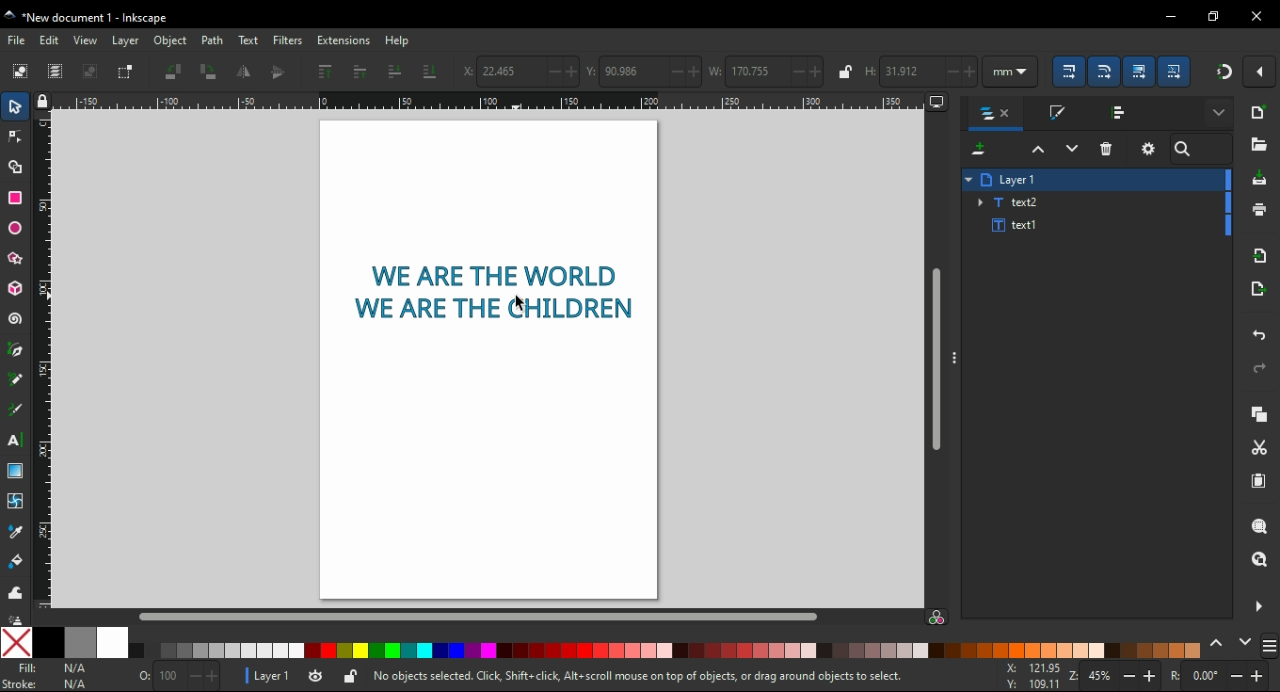 Image resolution: width=1280 pixels, height=692 pixels. Describe the element at coordinates (1168, 16) in the screenshot. I see `minimize` at that location.